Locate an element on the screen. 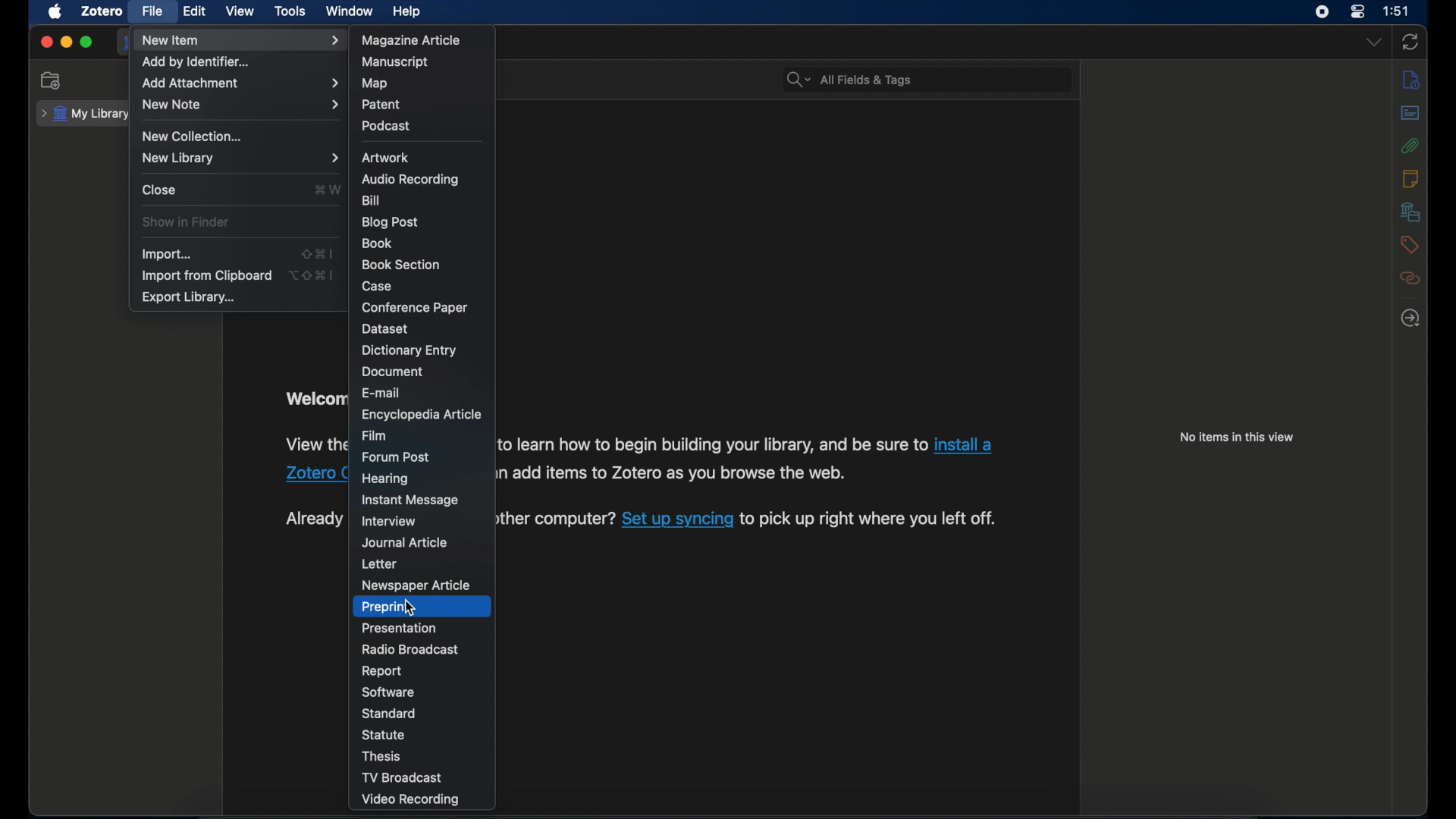 The width and height of the screenshot is (1456, 819). close is located at coordinates (160, 189).